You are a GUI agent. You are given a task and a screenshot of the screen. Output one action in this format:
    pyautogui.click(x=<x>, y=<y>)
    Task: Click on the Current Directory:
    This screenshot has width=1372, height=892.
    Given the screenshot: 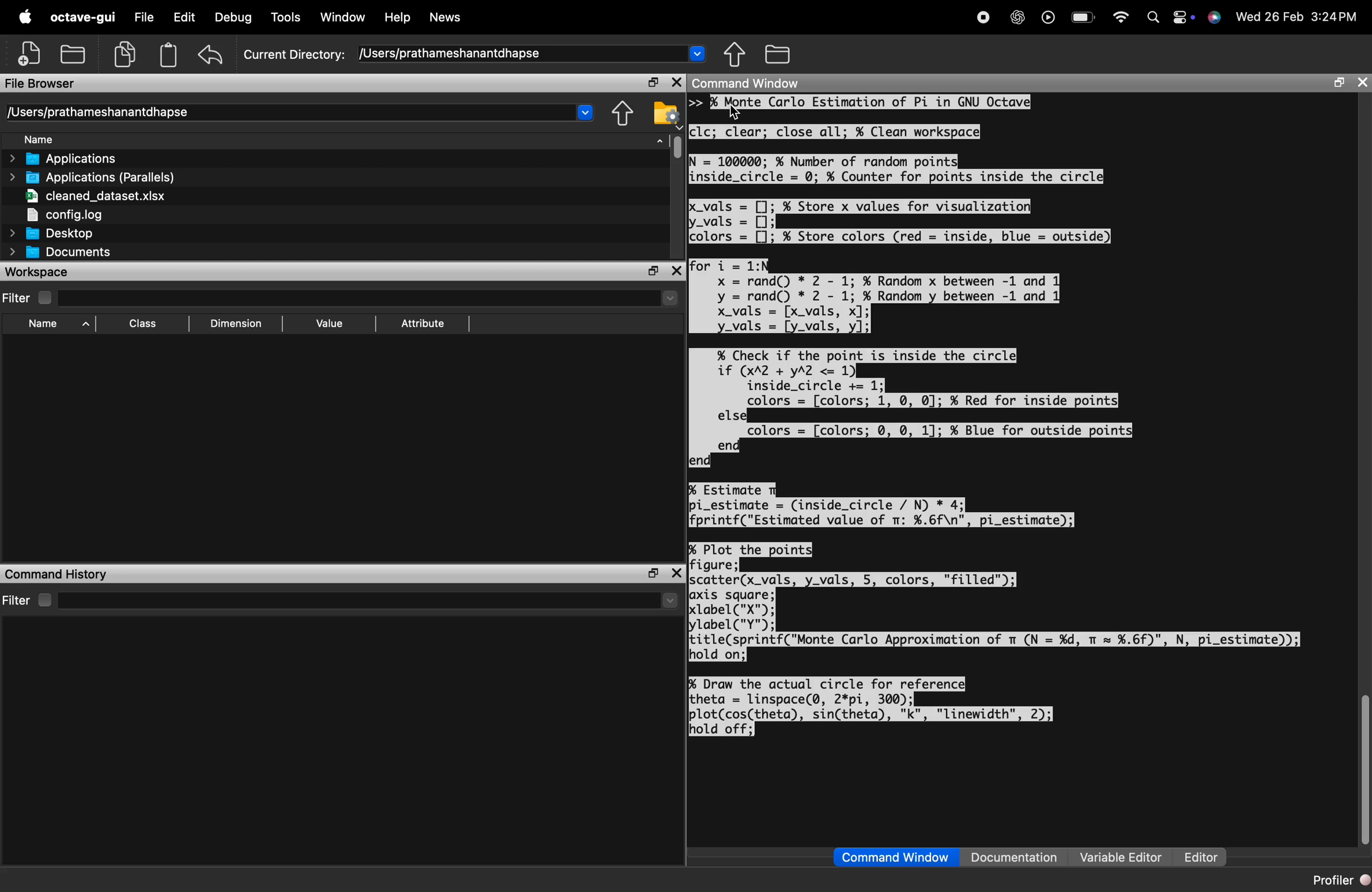 What is the action you would take?
    pyautogui.click(x=295, y=52)
    